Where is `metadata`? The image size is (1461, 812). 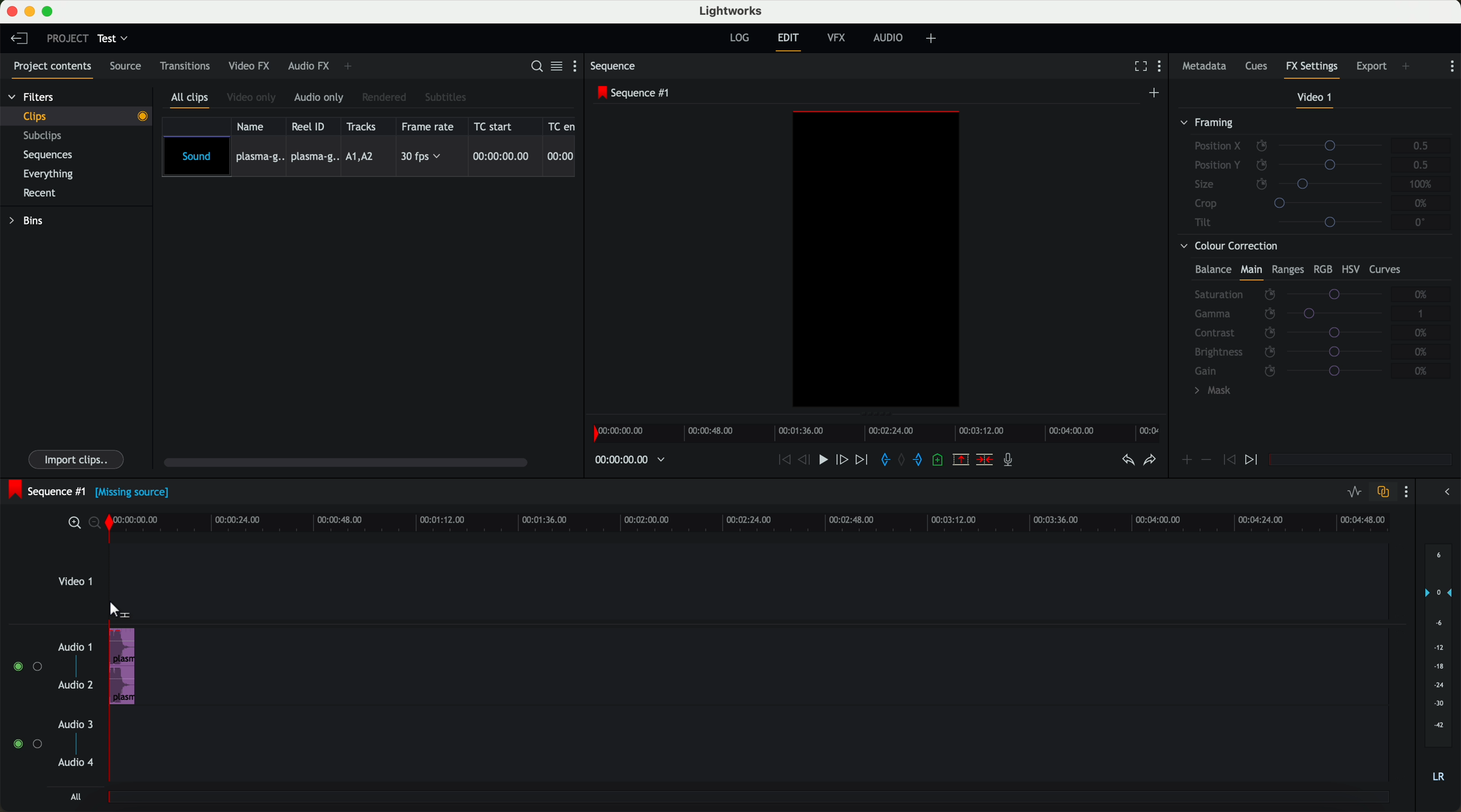 metadata is located at coordinates (1204, 67).